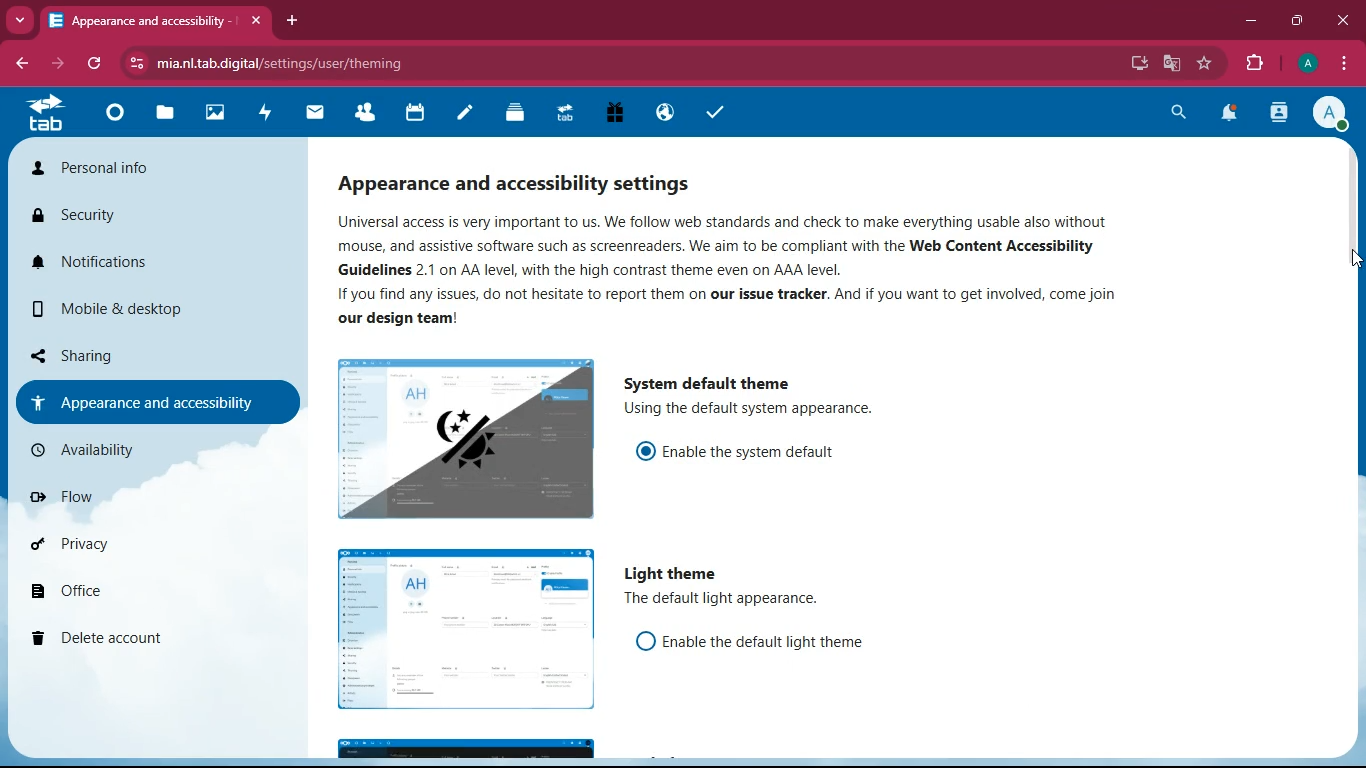 The image size is (1366, 768). What do you see at coordinates (25, 64) in the screenshot?
I see `back` at bounding box center [25, 64].